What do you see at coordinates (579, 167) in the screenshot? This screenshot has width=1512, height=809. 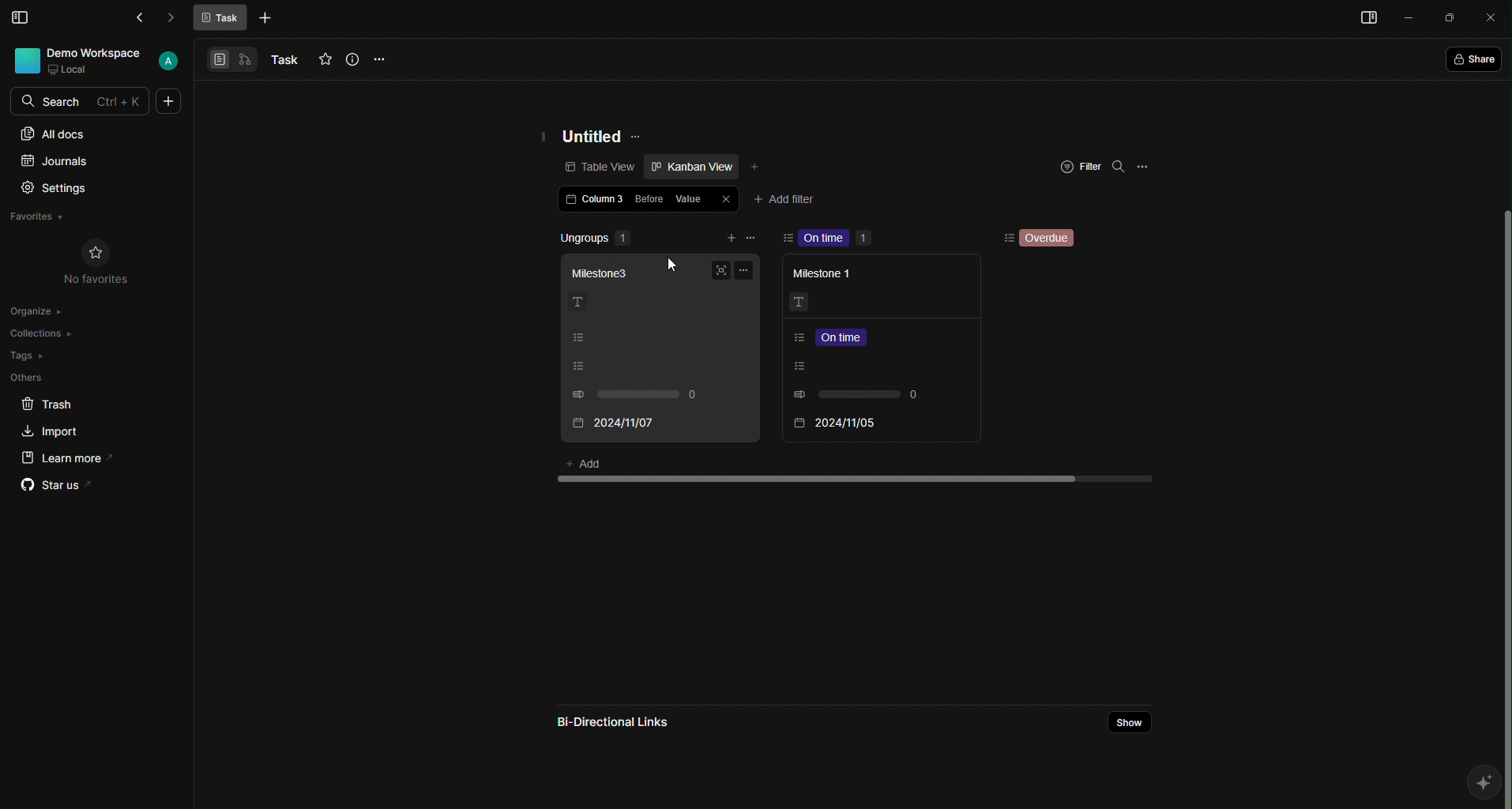 I see `Table view` at bounding box center [579, 167].